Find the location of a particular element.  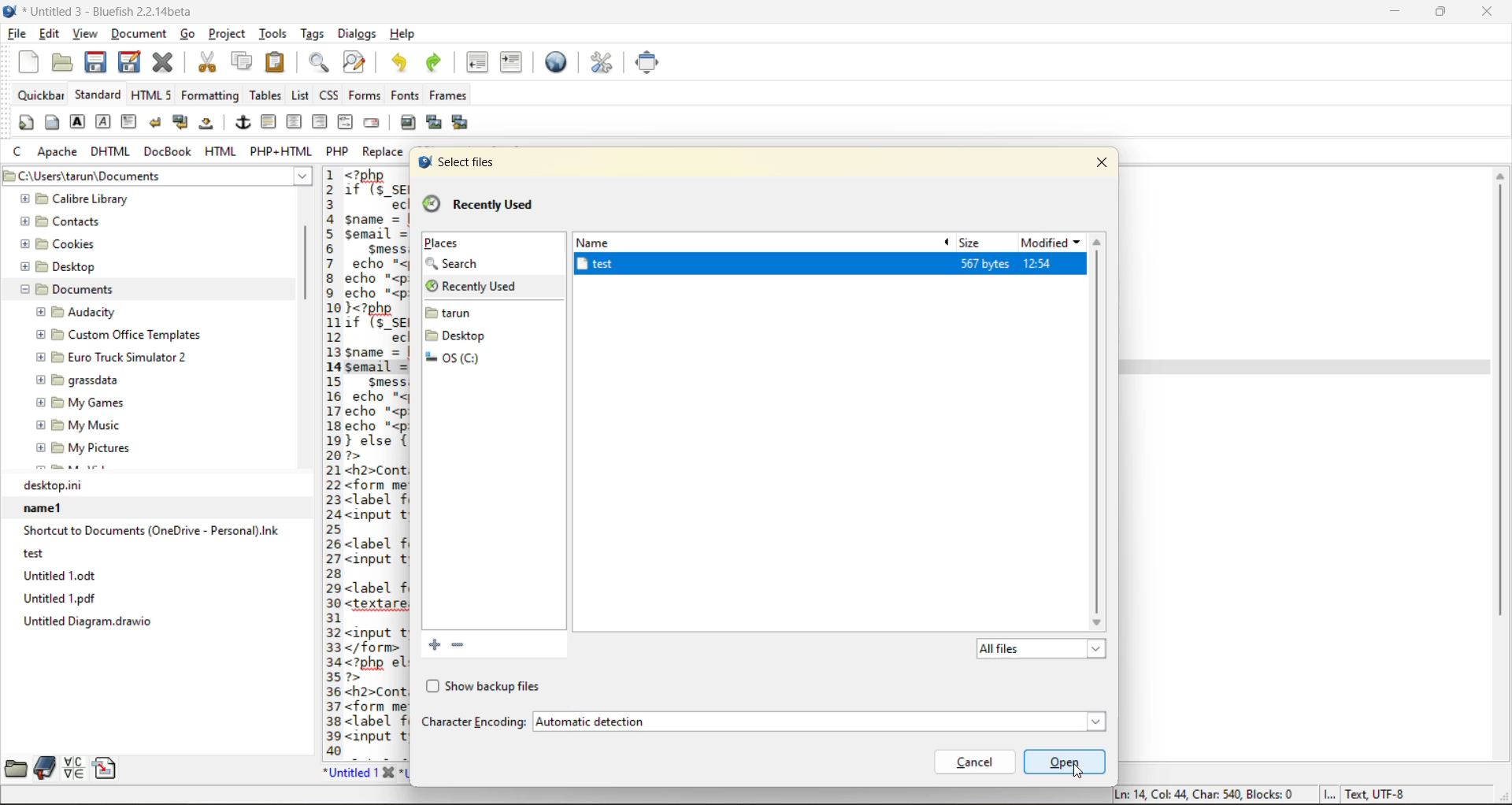

open is located at coordinates (57, 62).